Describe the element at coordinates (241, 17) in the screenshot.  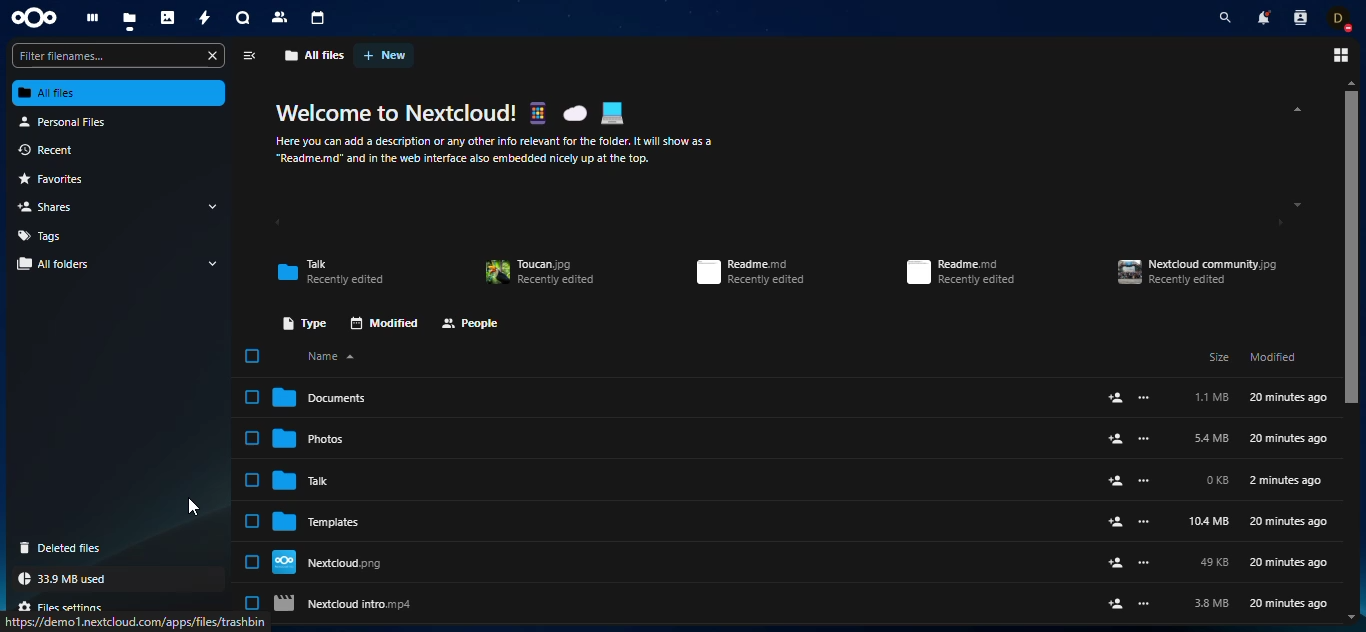
I see `Messages` at that location.